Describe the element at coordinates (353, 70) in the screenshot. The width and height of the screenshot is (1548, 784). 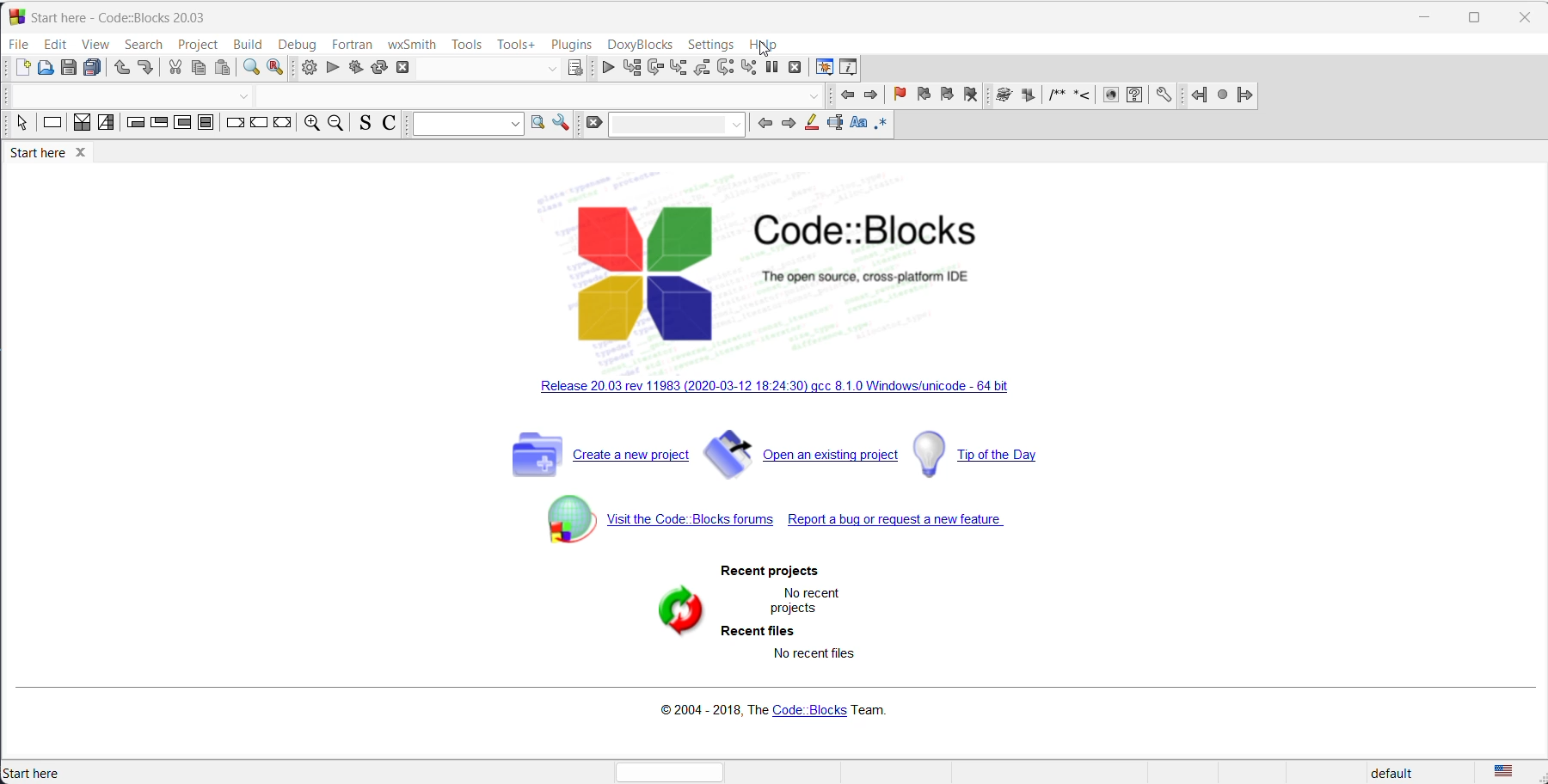
I see `build and run` at that location.